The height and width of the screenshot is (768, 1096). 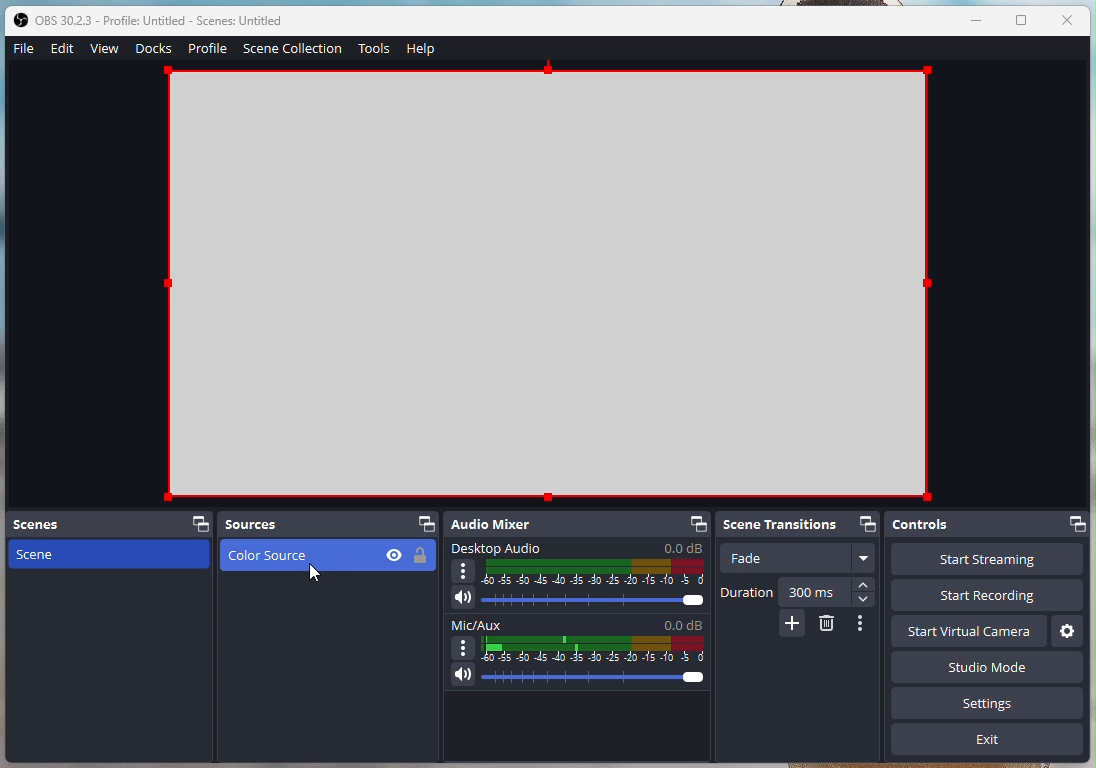 What do you see at coordinates (578, 525) in the screenshot?
I see `Audio mixer` at bounding box center [578, 525].